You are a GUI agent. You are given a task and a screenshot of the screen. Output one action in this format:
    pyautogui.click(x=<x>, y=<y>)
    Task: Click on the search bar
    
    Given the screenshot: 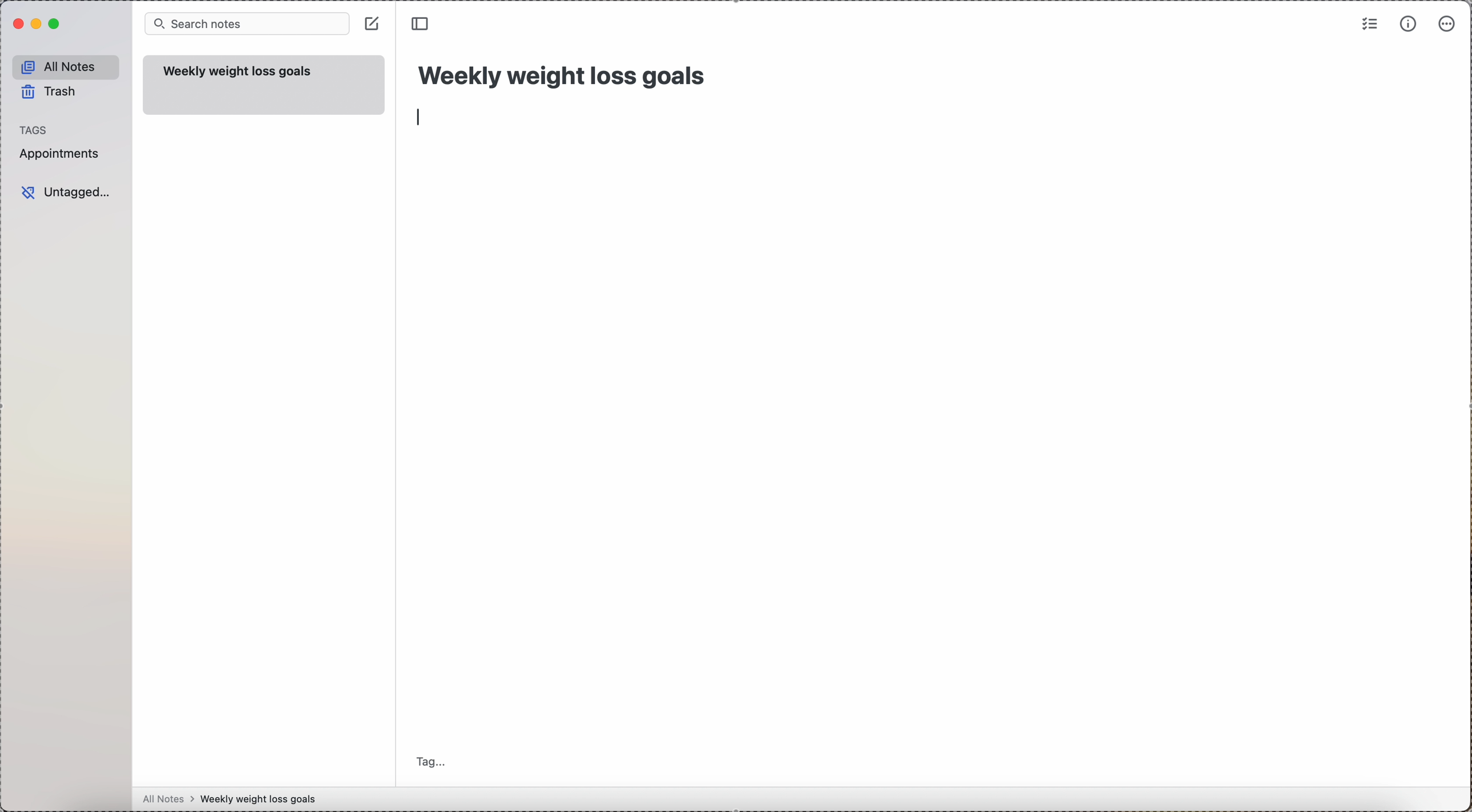 What is the action you would take?
    pyautogui.click(x=247, y=24)
    